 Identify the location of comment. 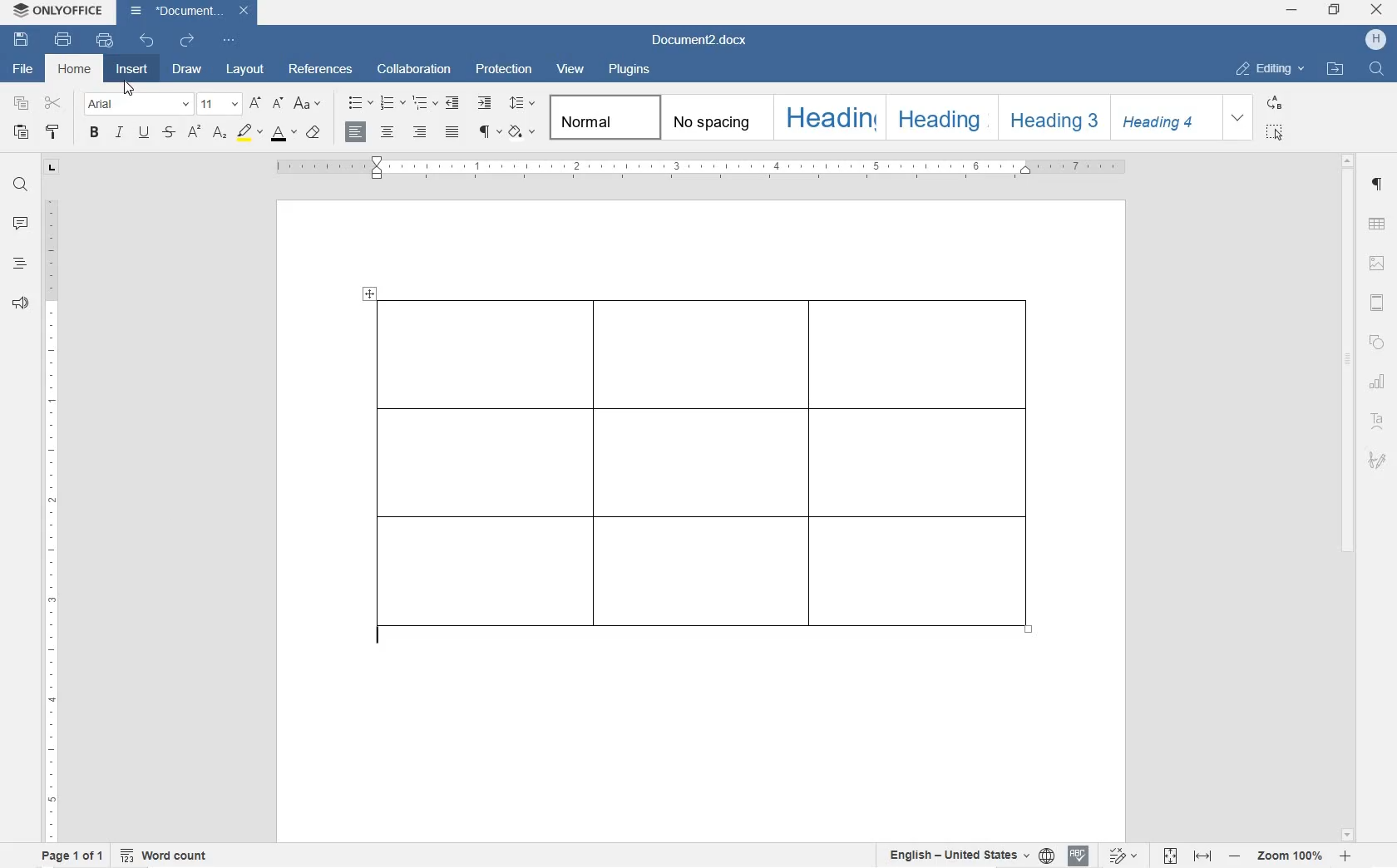
(21, 224).